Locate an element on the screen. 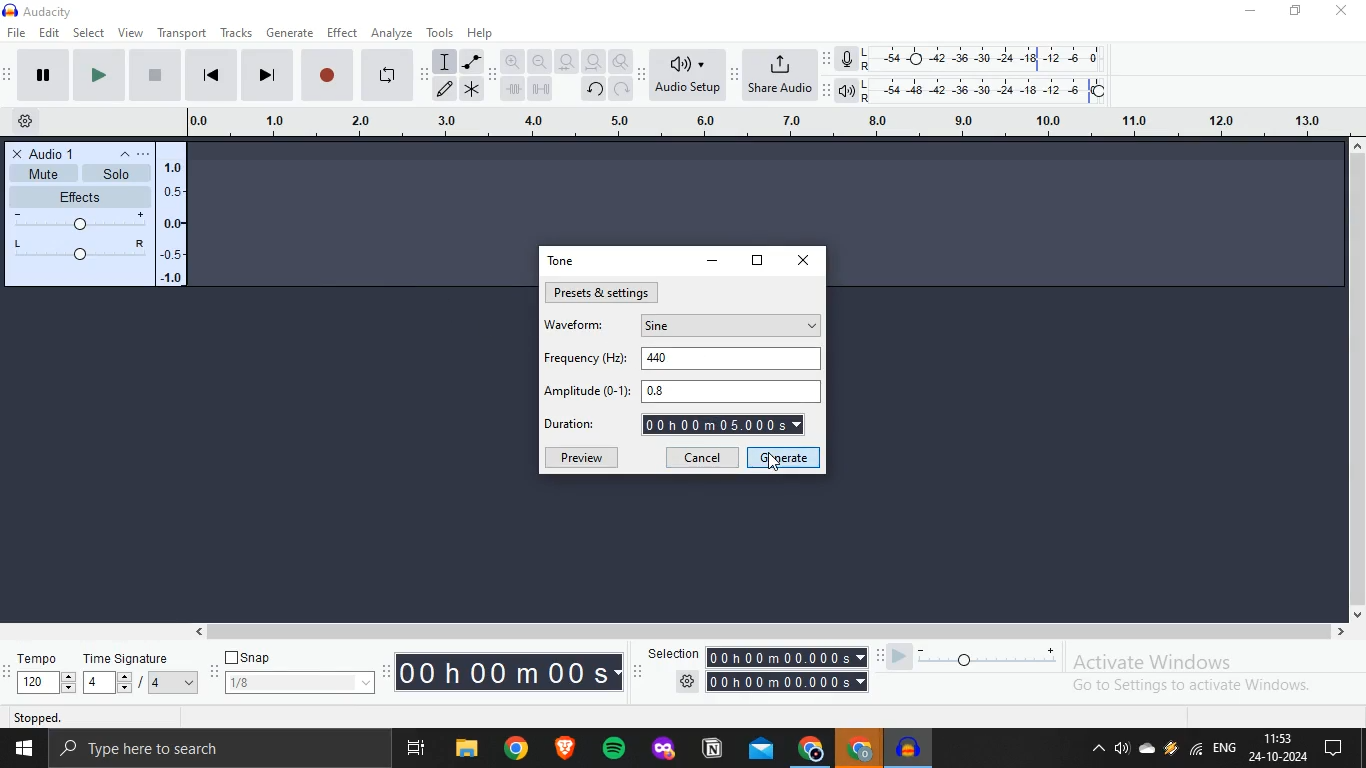 The height and width of the screenshot is (768, 1366). Window is located at coordinates (22, 749).